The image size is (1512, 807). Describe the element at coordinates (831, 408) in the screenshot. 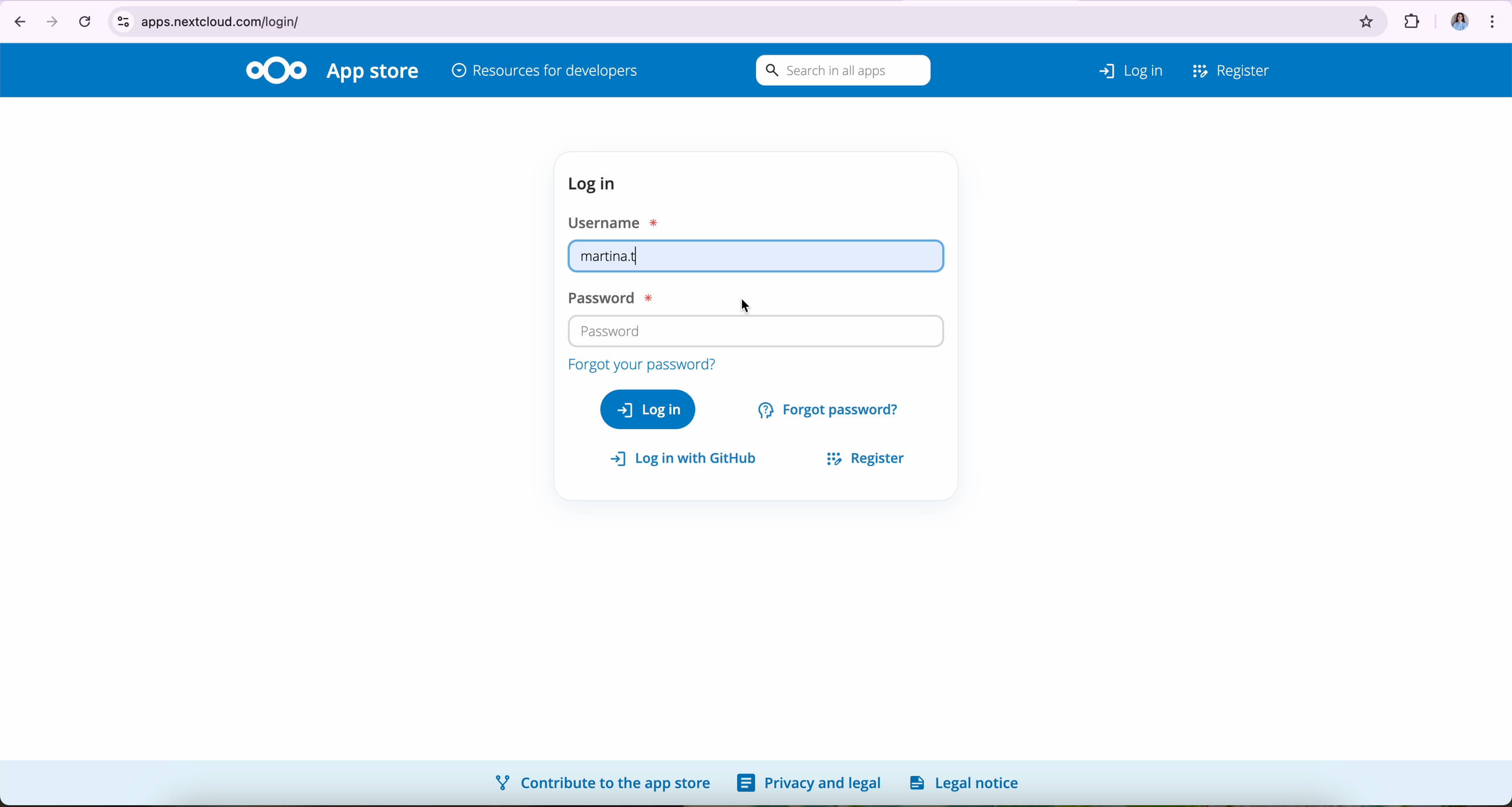

I see `forgot password` at that location.